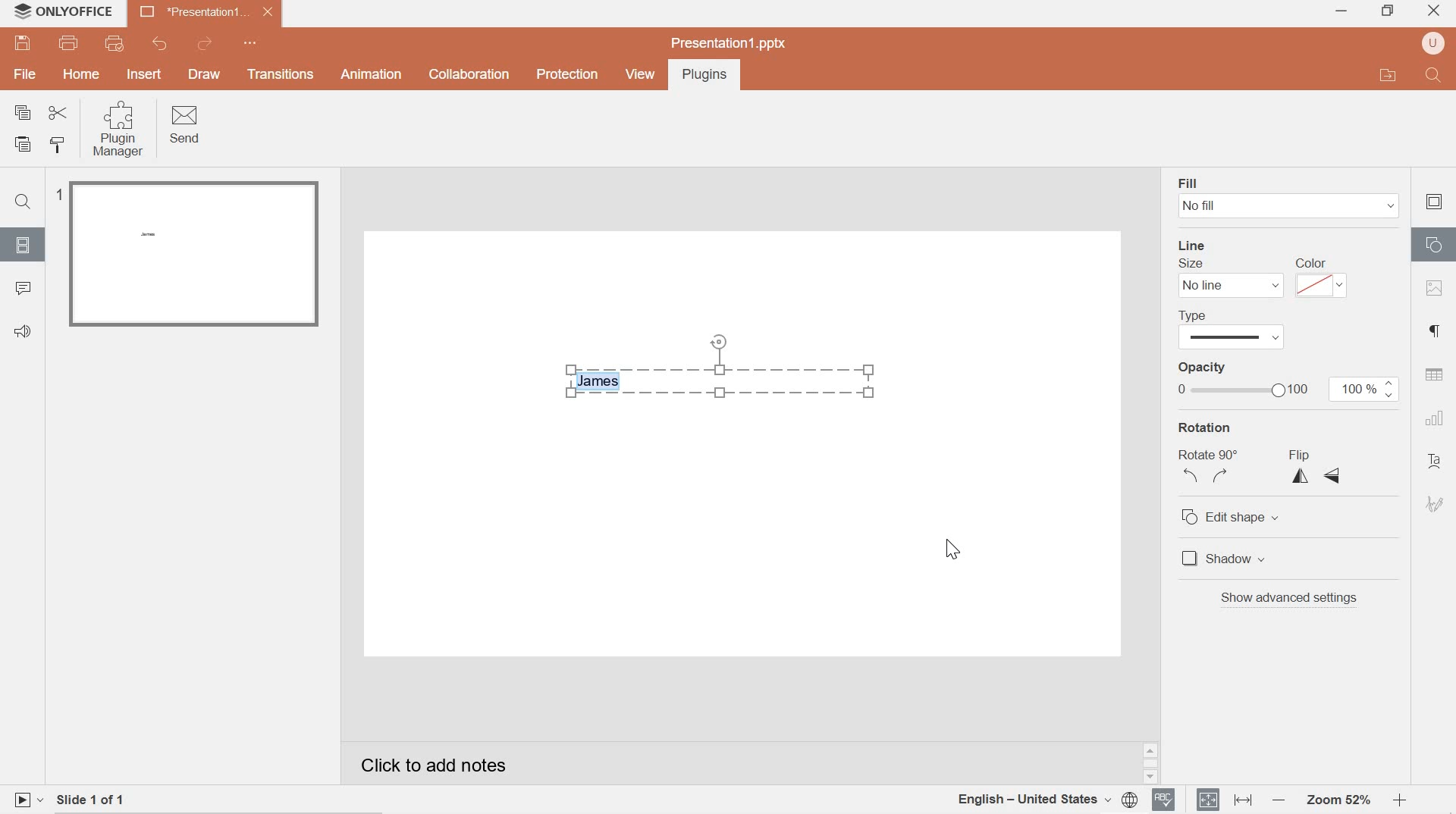  I want to click on color, so click(1322, 277).